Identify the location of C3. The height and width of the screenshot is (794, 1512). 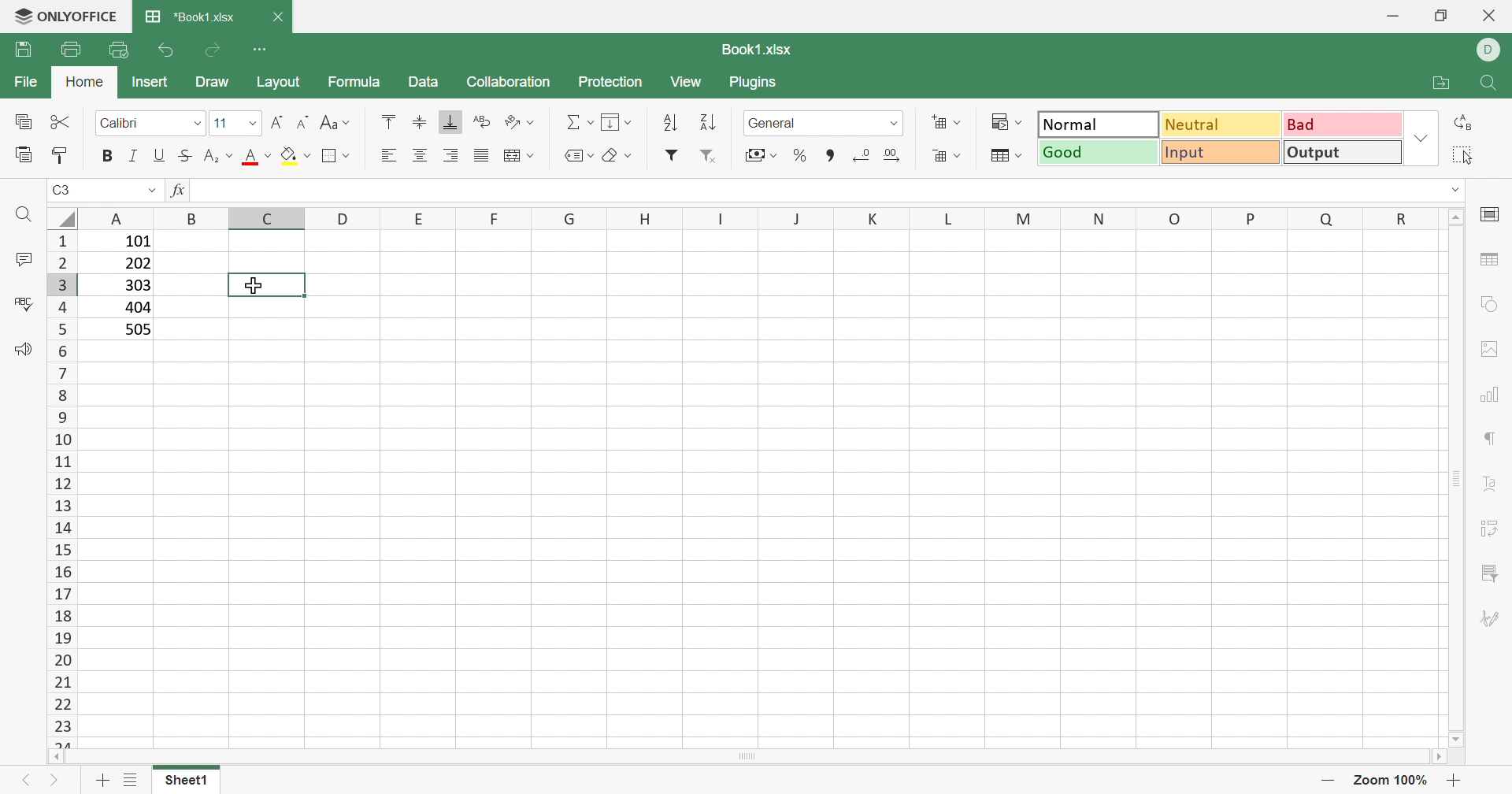
(64, 190).